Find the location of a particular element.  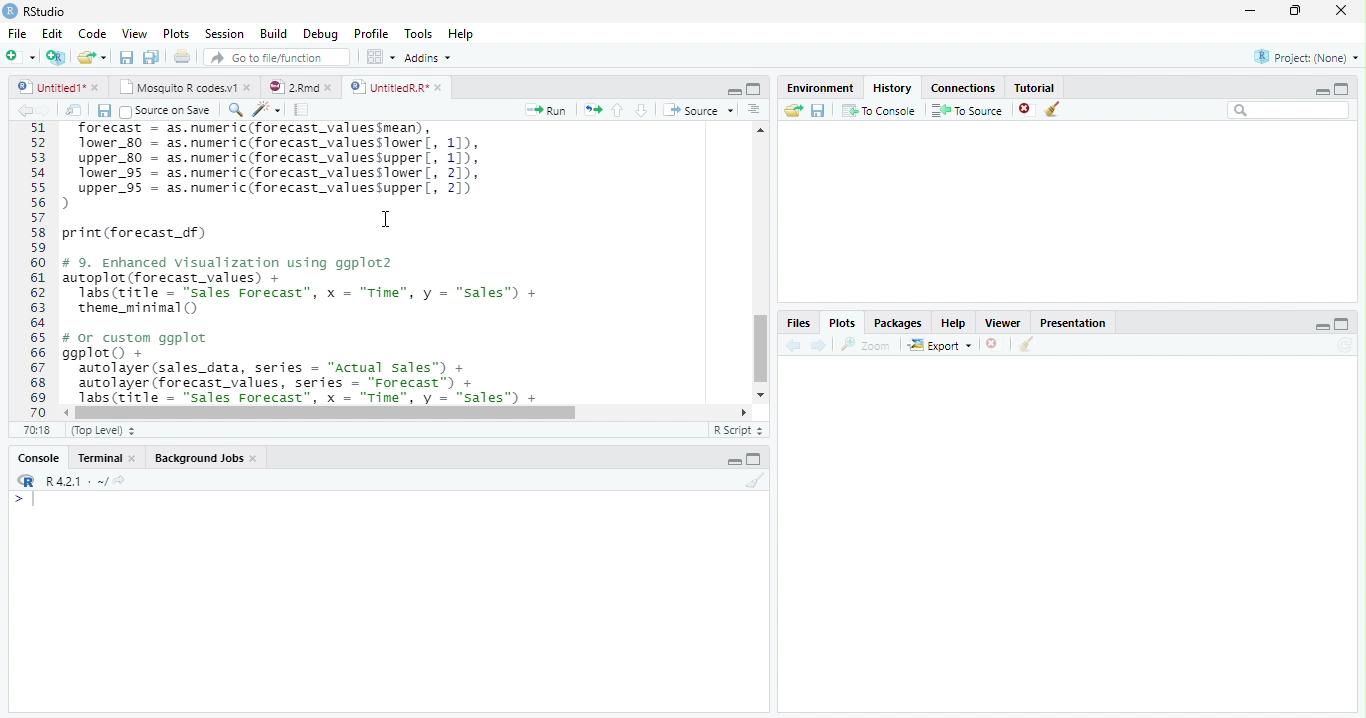

Source is located at coordinates (699, 110).